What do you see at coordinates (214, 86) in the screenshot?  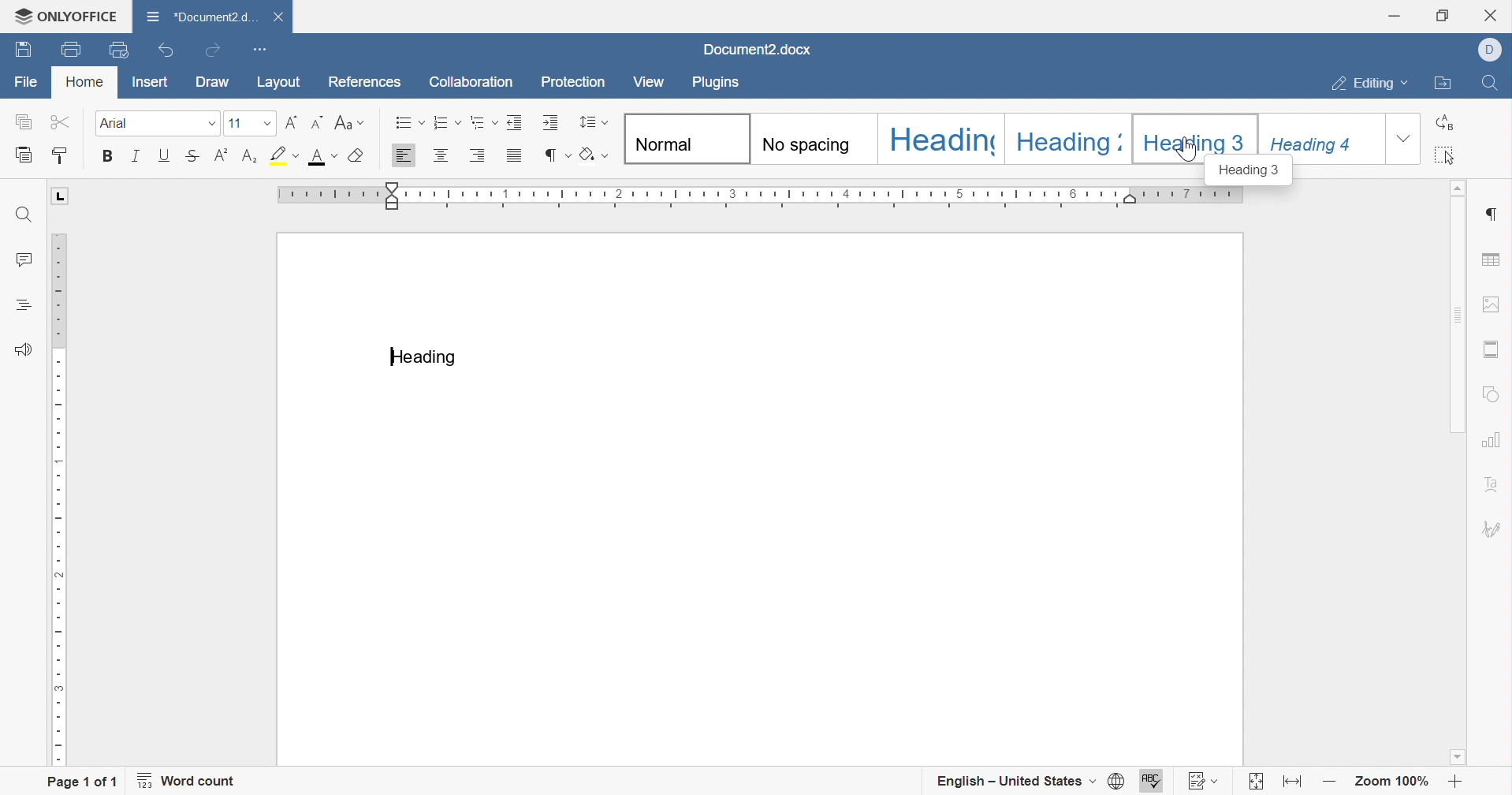 I see `Draw` at bounding box center [214, 86].